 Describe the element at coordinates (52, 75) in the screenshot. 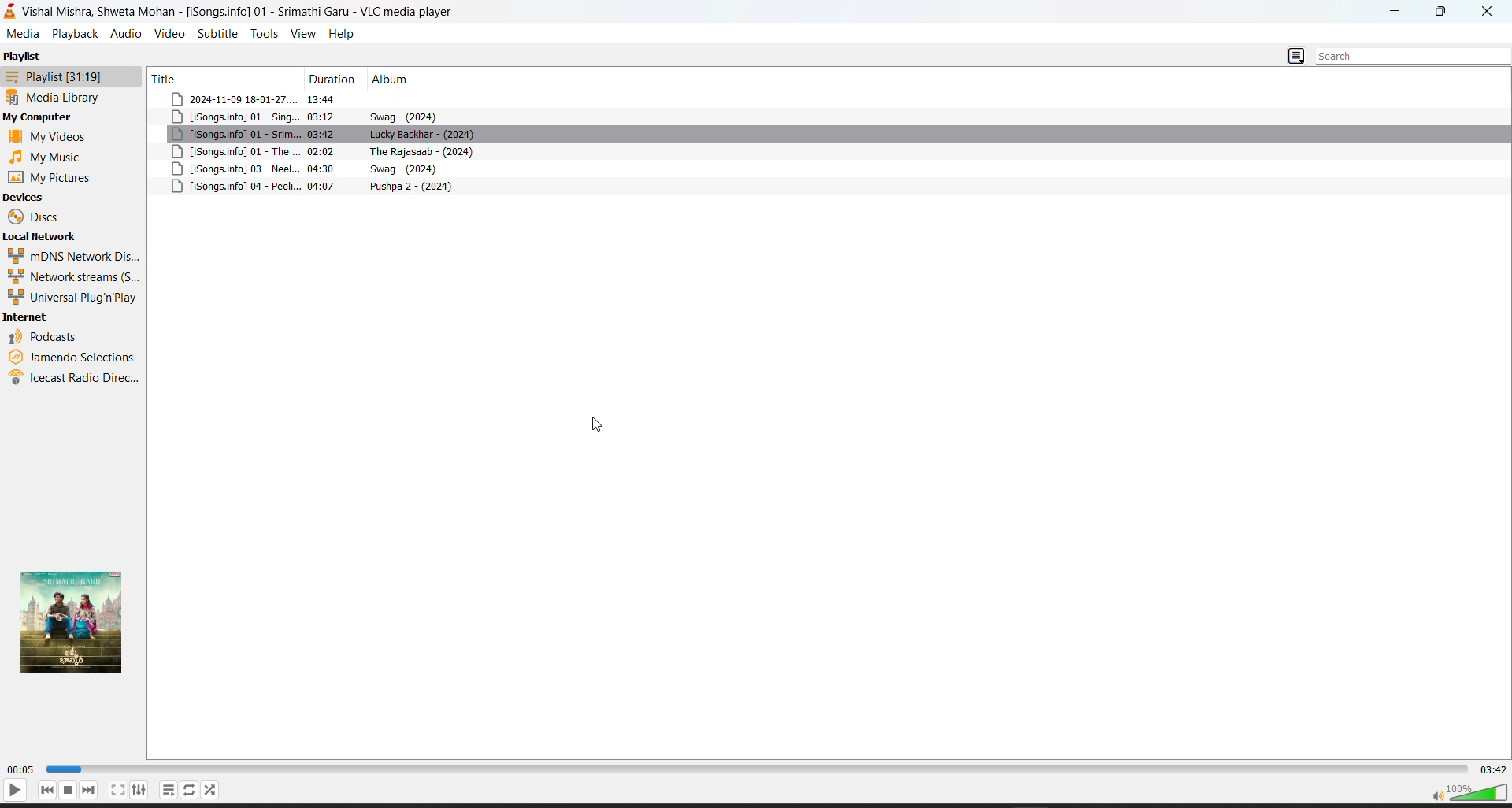

I see `playlist` at that location.